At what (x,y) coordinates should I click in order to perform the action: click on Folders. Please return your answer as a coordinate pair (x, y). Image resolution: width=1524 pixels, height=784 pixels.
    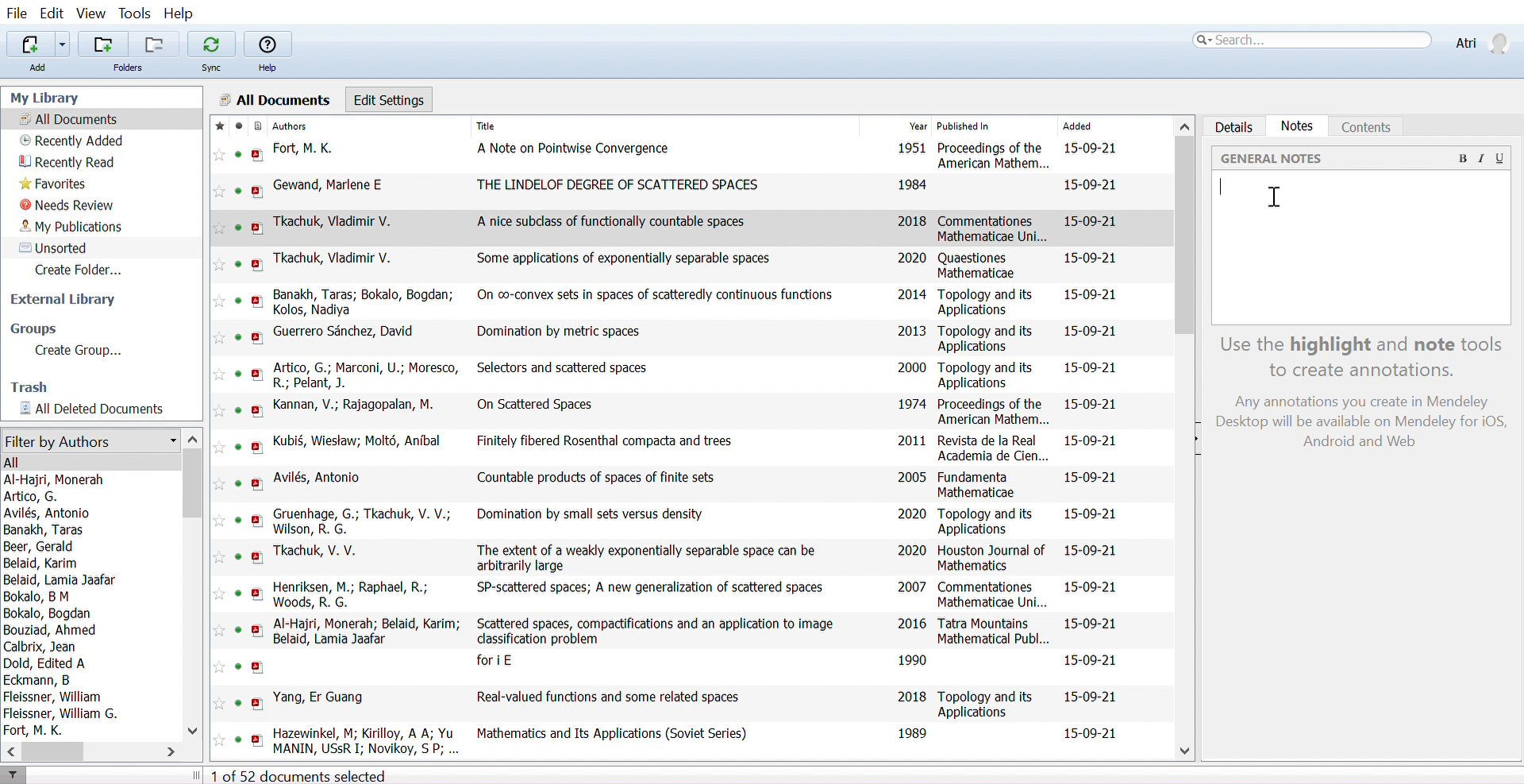
    Looking at the image, I should click on (130, 67).